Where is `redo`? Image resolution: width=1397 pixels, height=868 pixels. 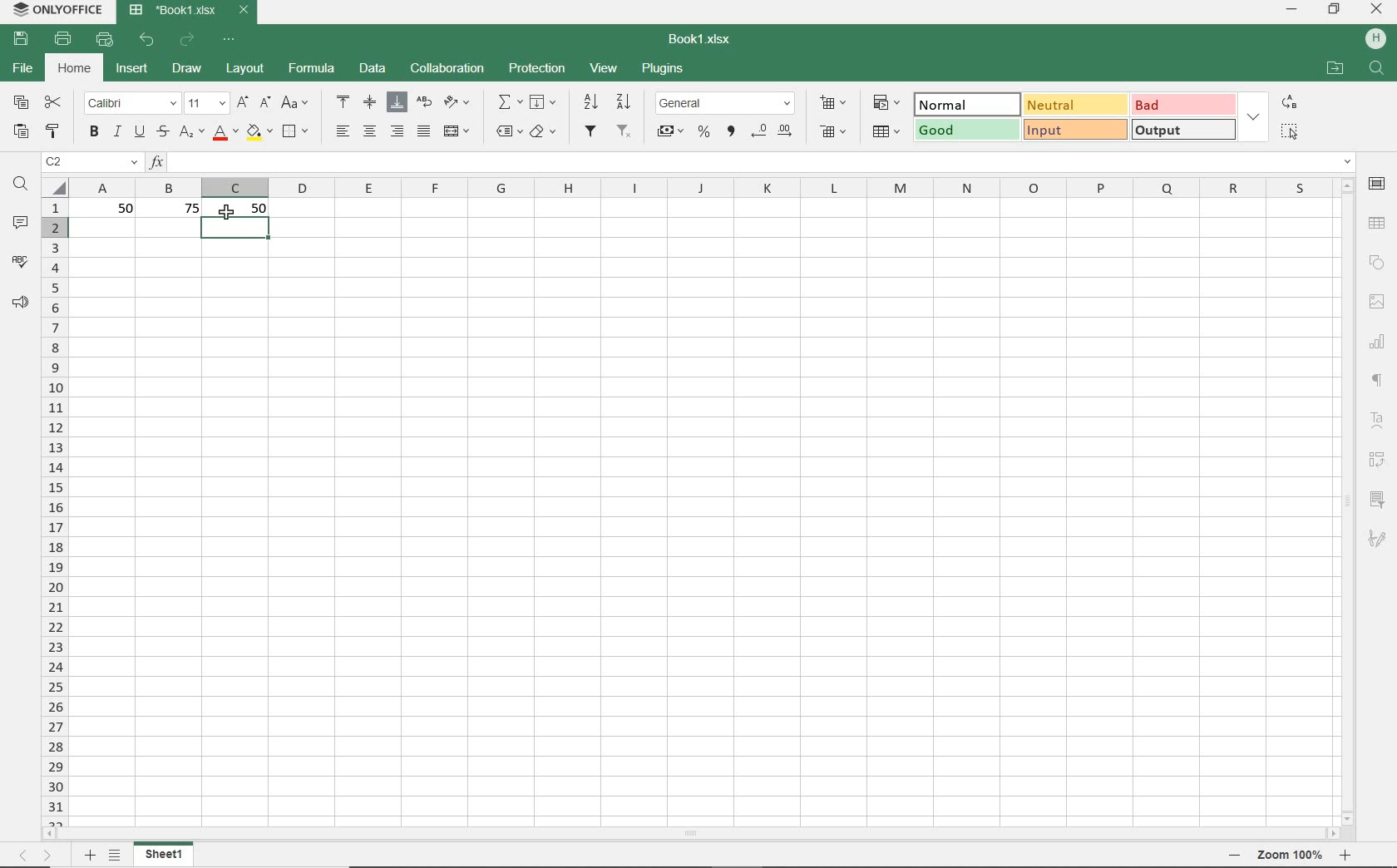 redo is located at coordinates (188, 40).